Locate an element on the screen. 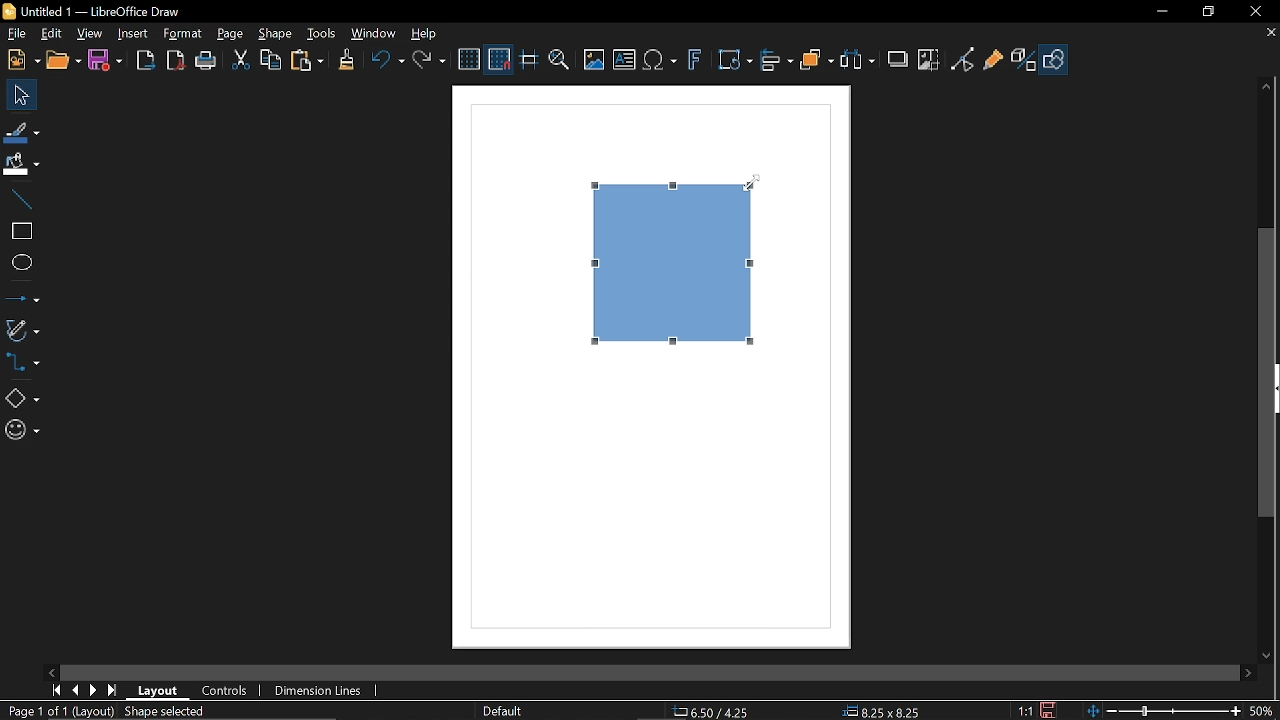 The image size is (1280, 720). Curves and polygons is located at coordinates (22, 330).